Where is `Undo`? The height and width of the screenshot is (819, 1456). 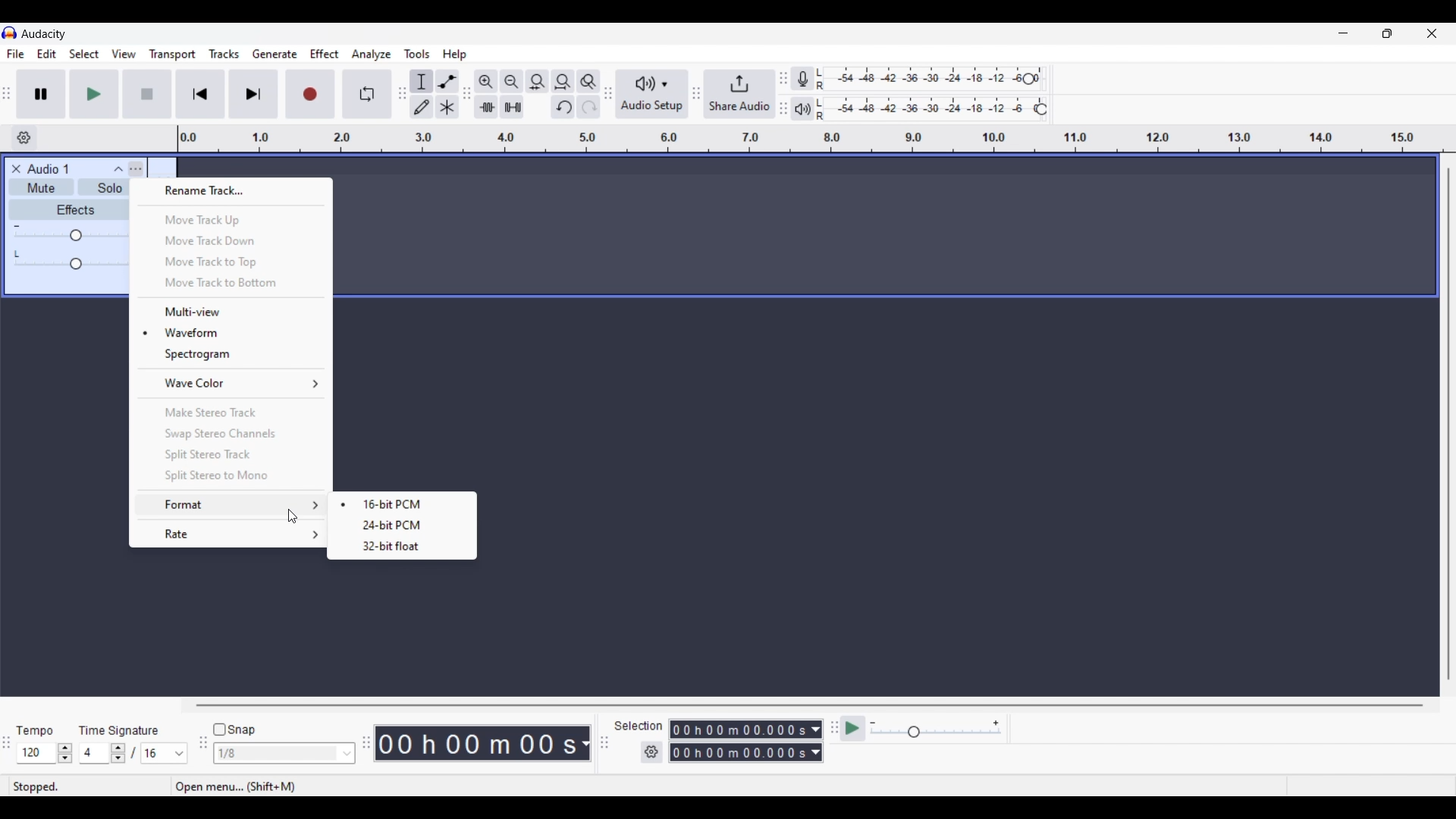 Undo is located at coordinates (563, 107).